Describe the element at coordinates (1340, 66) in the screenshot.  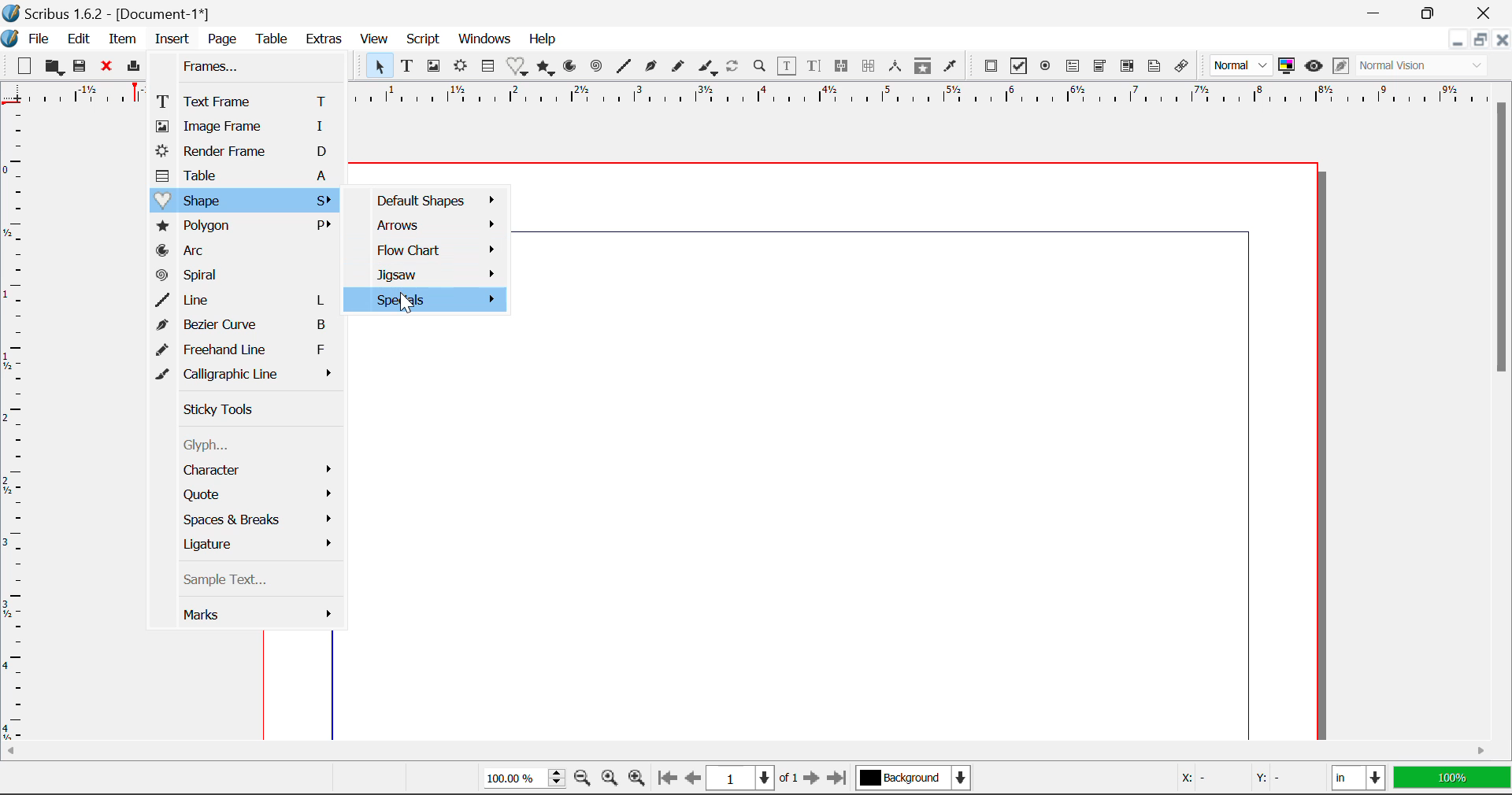
I see `Edit in Preview Mode` at that location.